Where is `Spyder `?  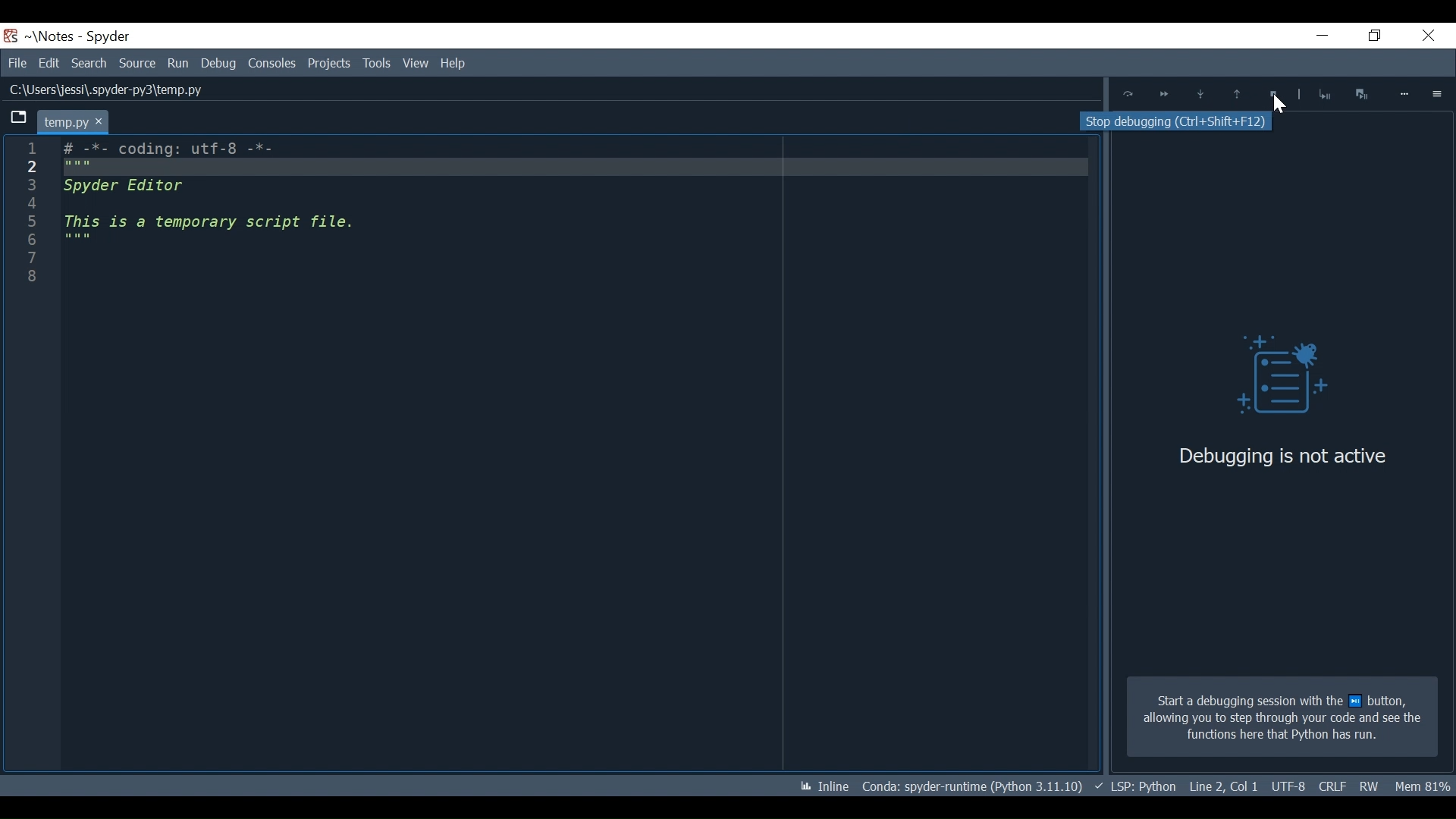 Spyder  is located at coordinates (109, 37).